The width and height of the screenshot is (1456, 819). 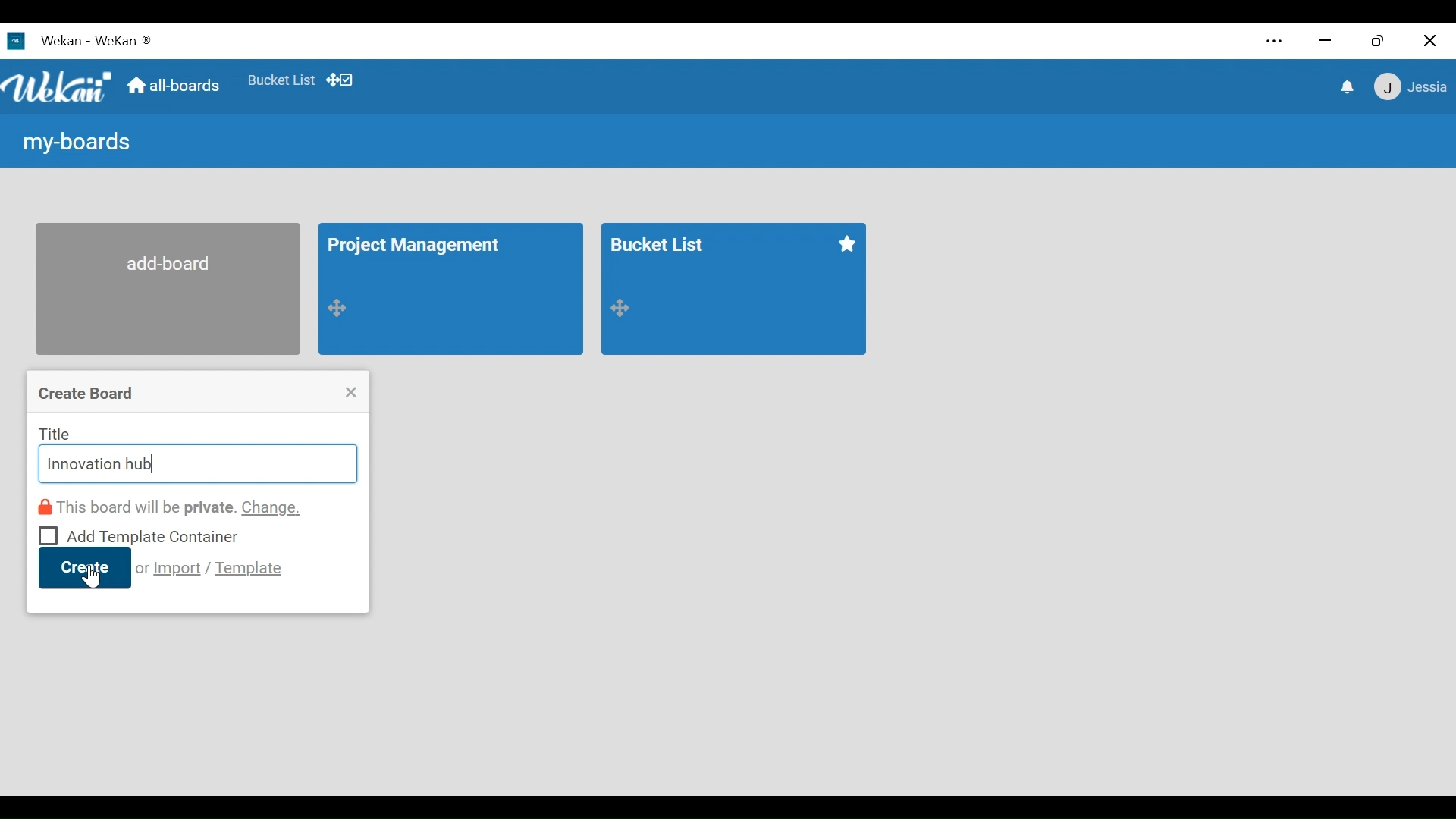 I want to click on Create, so click(x=84, y=568).